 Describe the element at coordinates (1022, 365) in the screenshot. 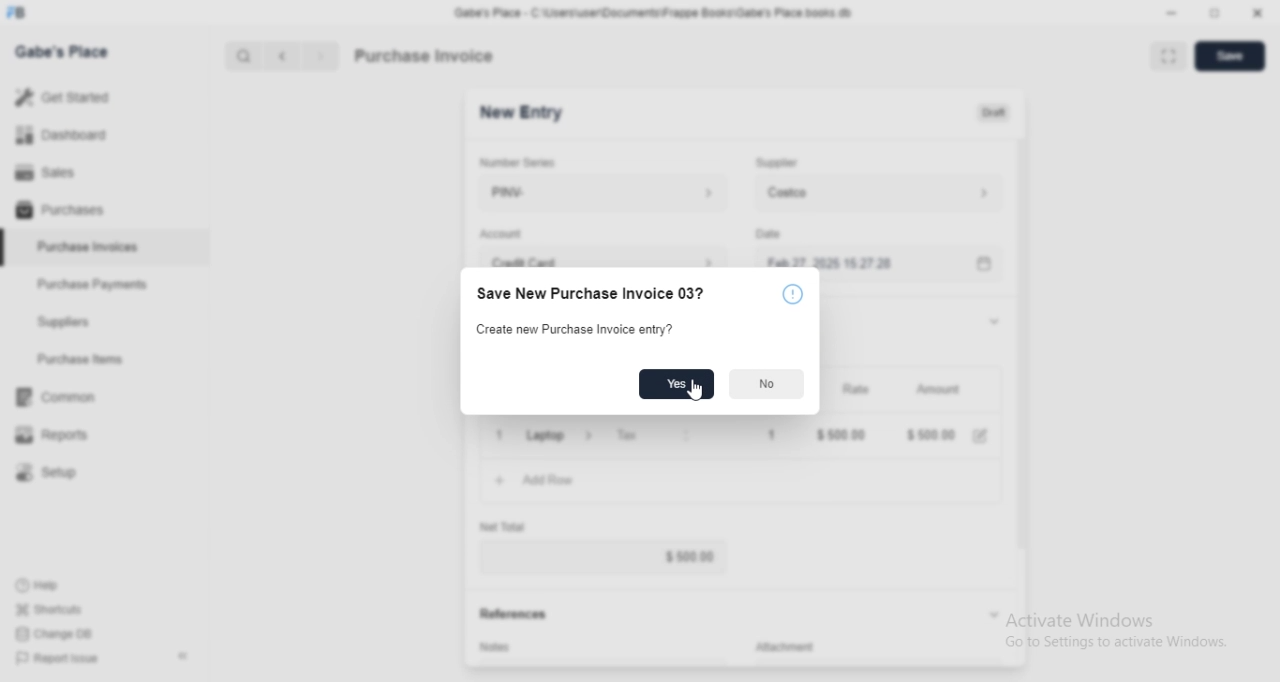

I see `Vertical slide bar` at that location.